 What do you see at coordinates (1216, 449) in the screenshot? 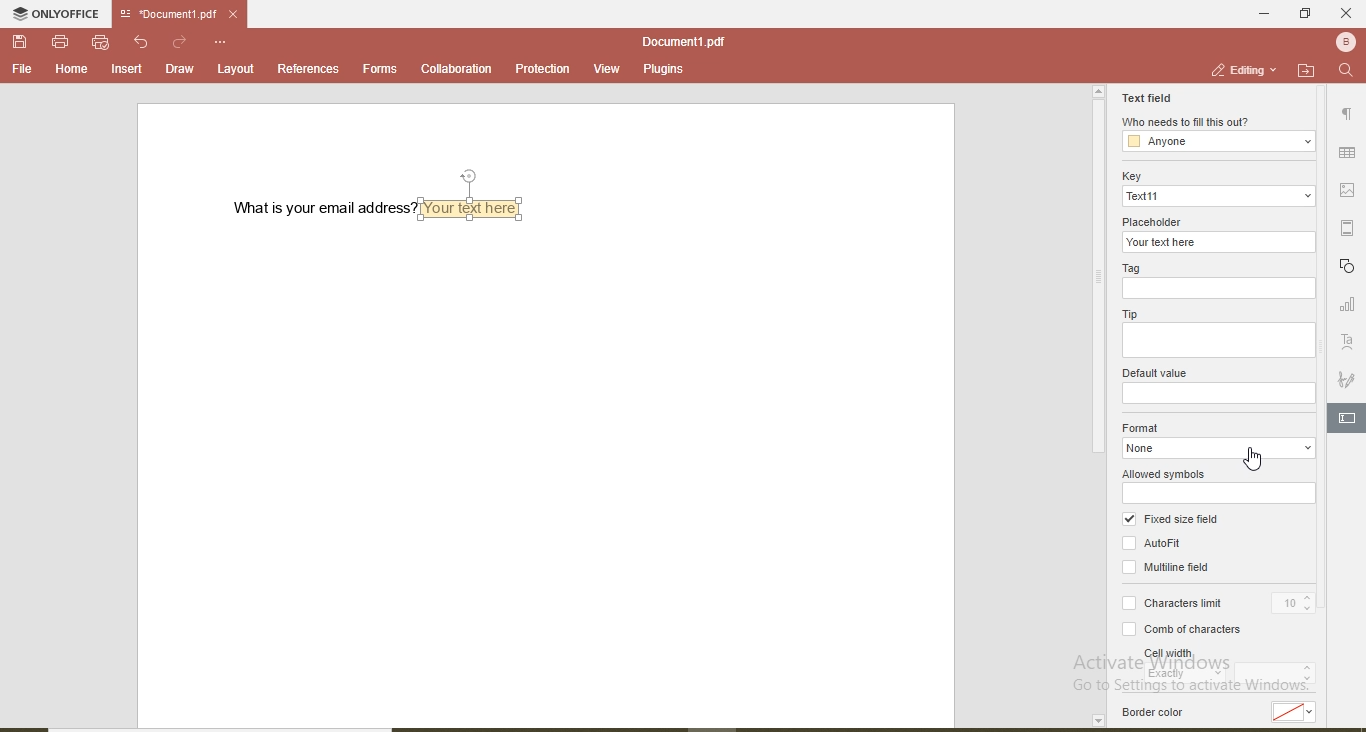
I see `none` at bounding box center [1216, 449].